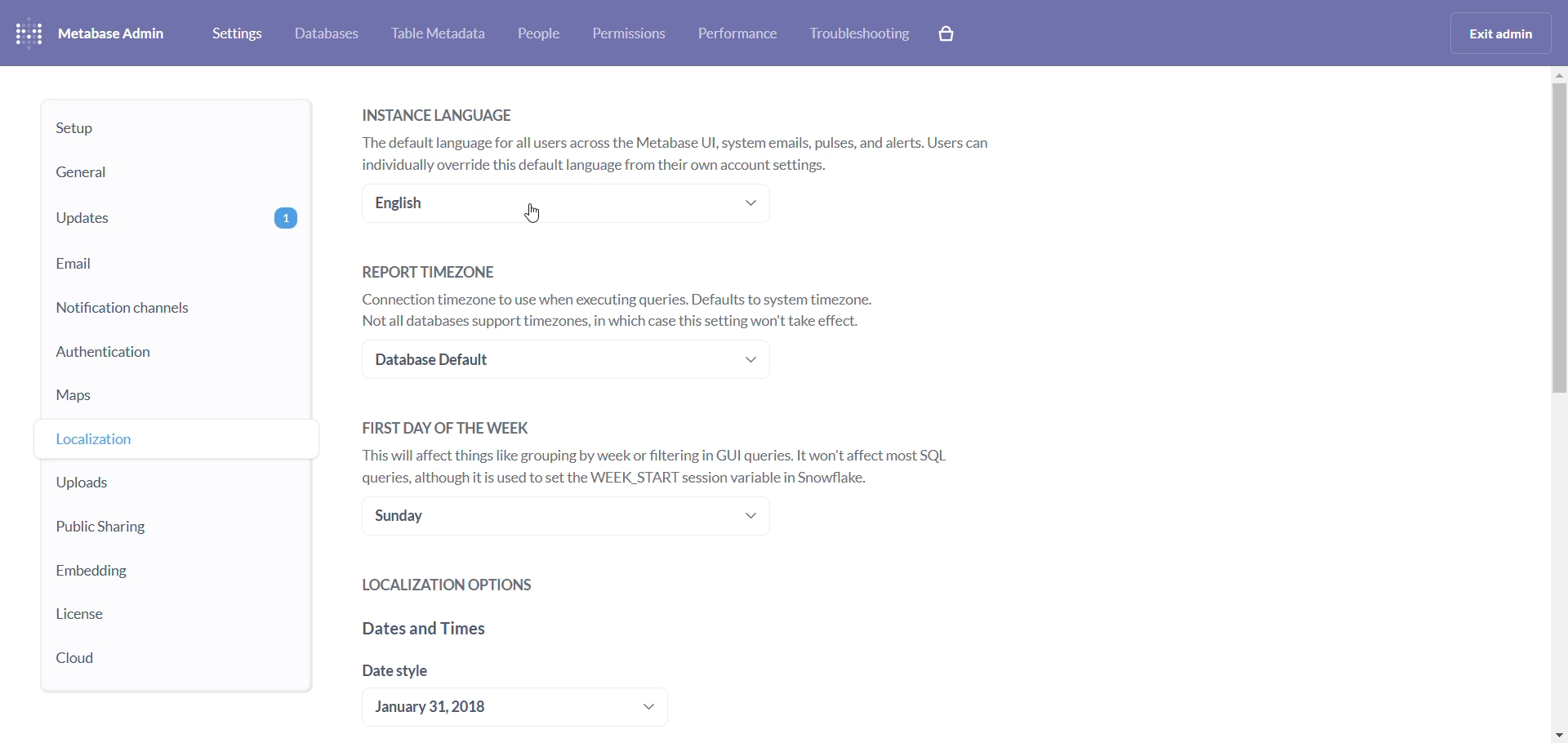  I want to click on language dropdown, so click(570, 213).